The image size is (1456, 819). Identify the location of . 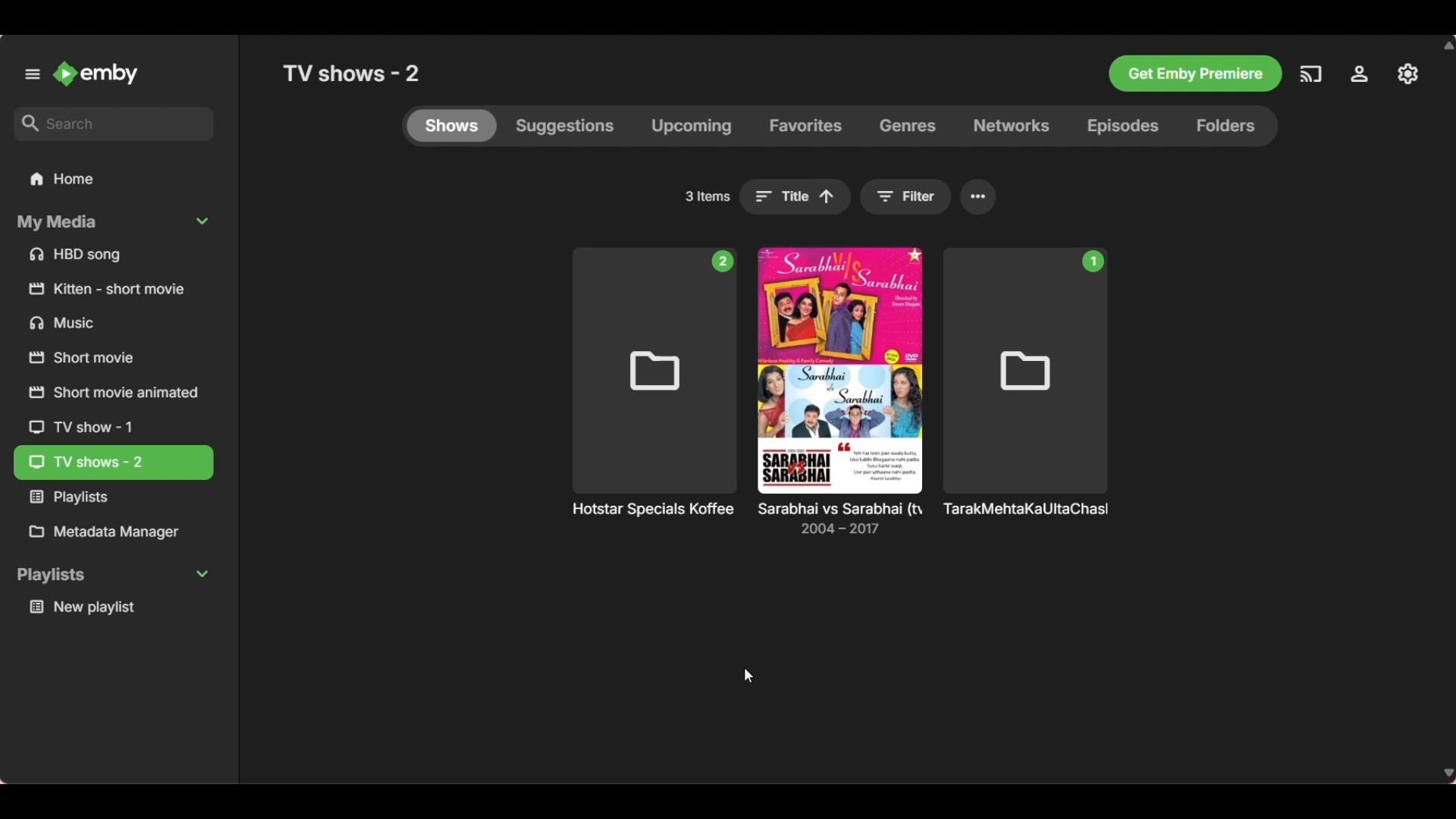
(108, 396).